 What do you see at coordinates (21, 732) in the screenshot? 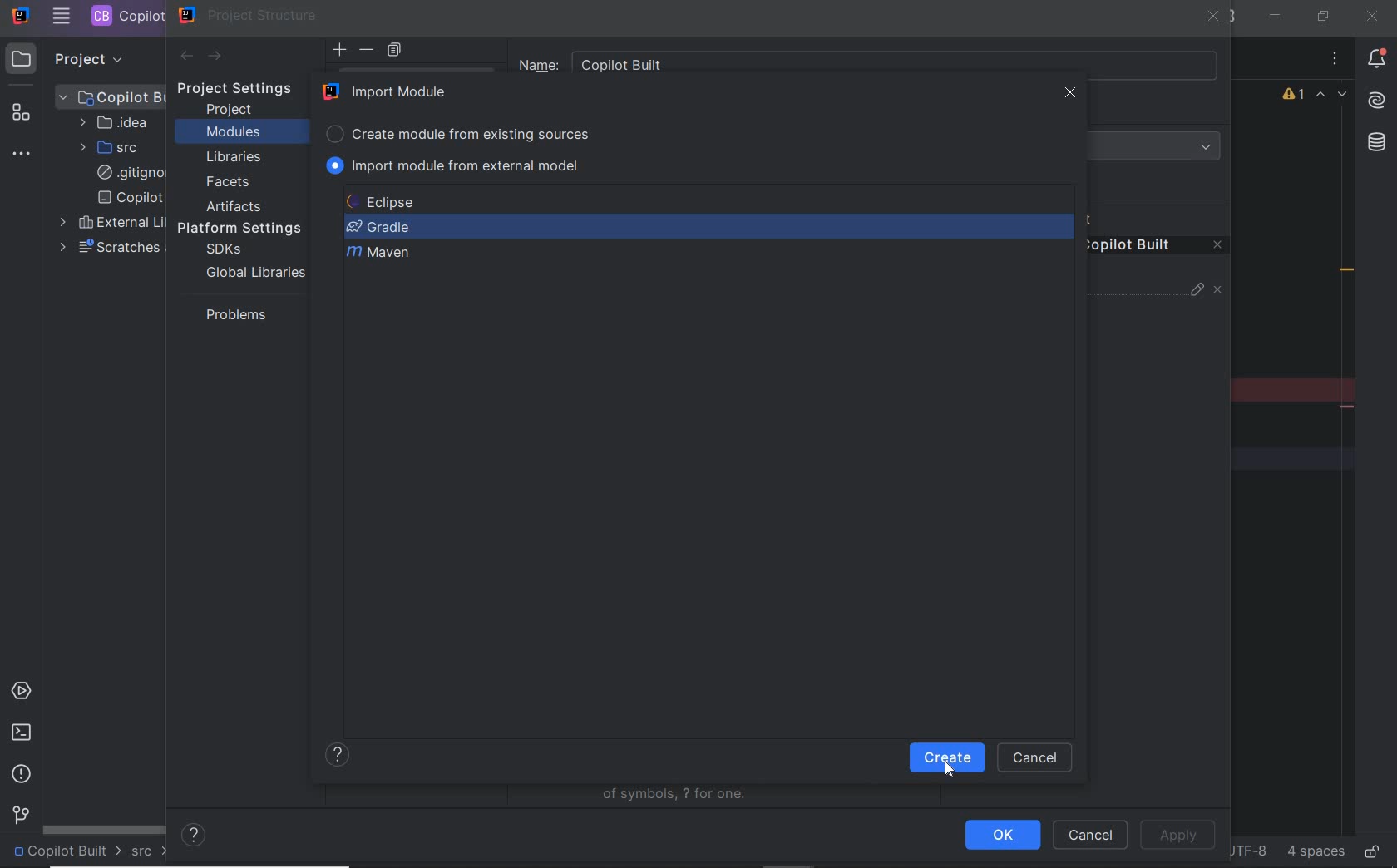
I see `terminal` at bounding box center [21, 732].